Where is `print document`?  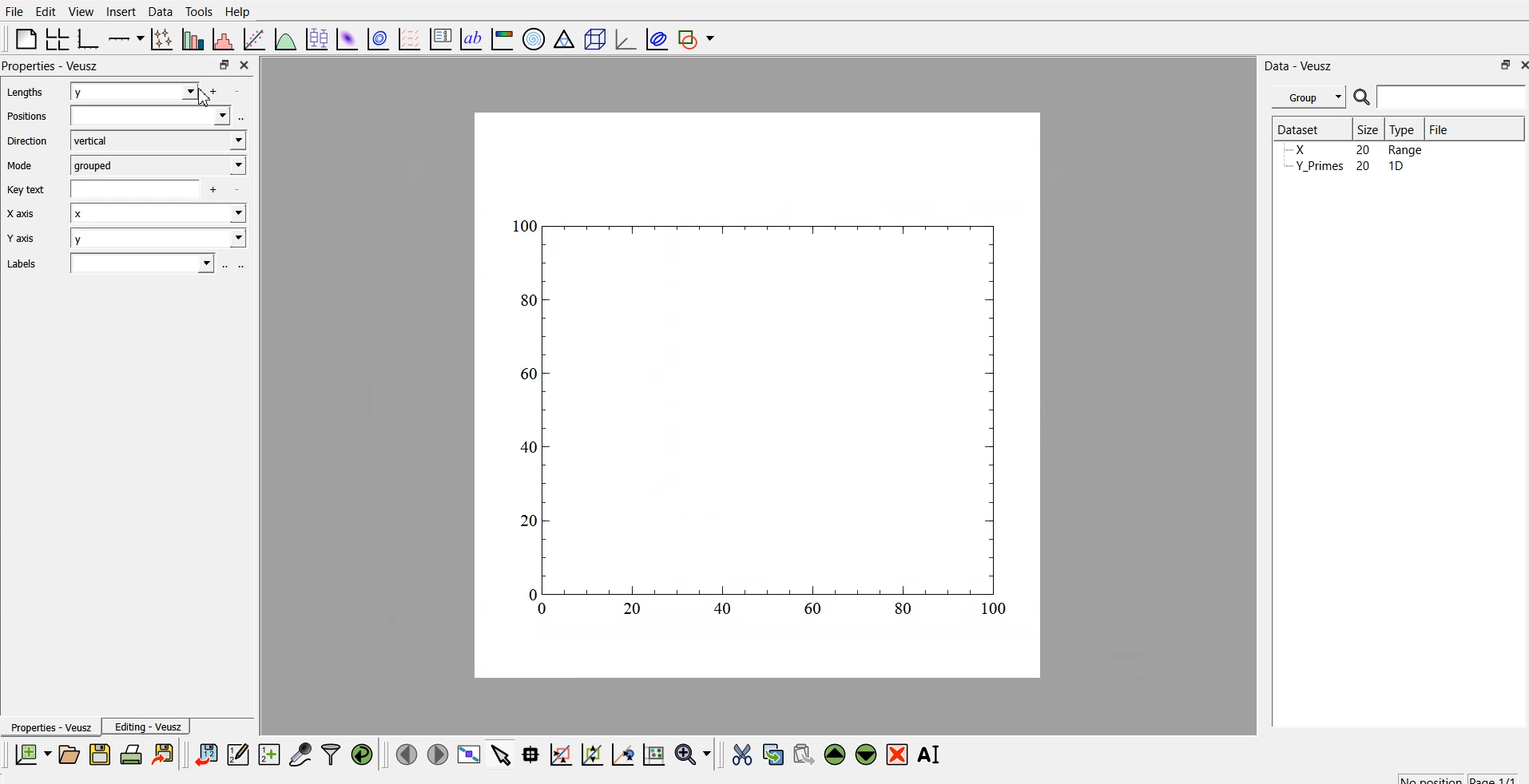 print document is located at coordinates (133, 755).